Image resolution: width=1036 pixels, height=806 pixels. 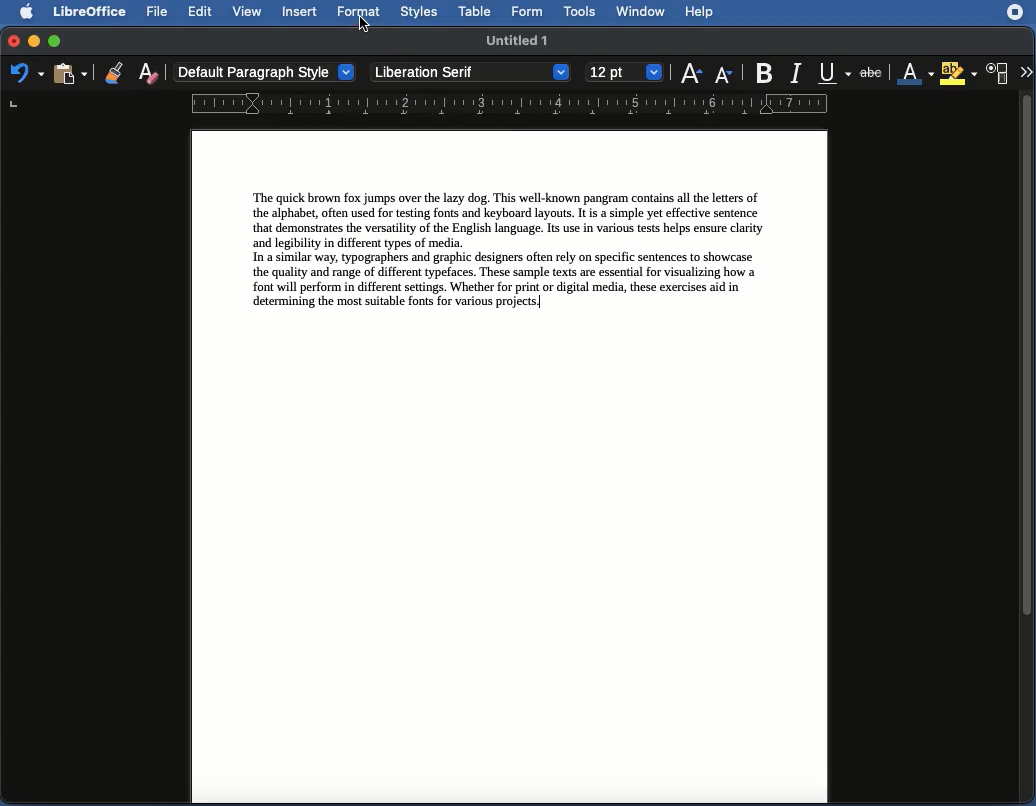 What do you see at coordinates (581, 12) in the screenshot?
I see `Tools` at bounding box center [581, 12].